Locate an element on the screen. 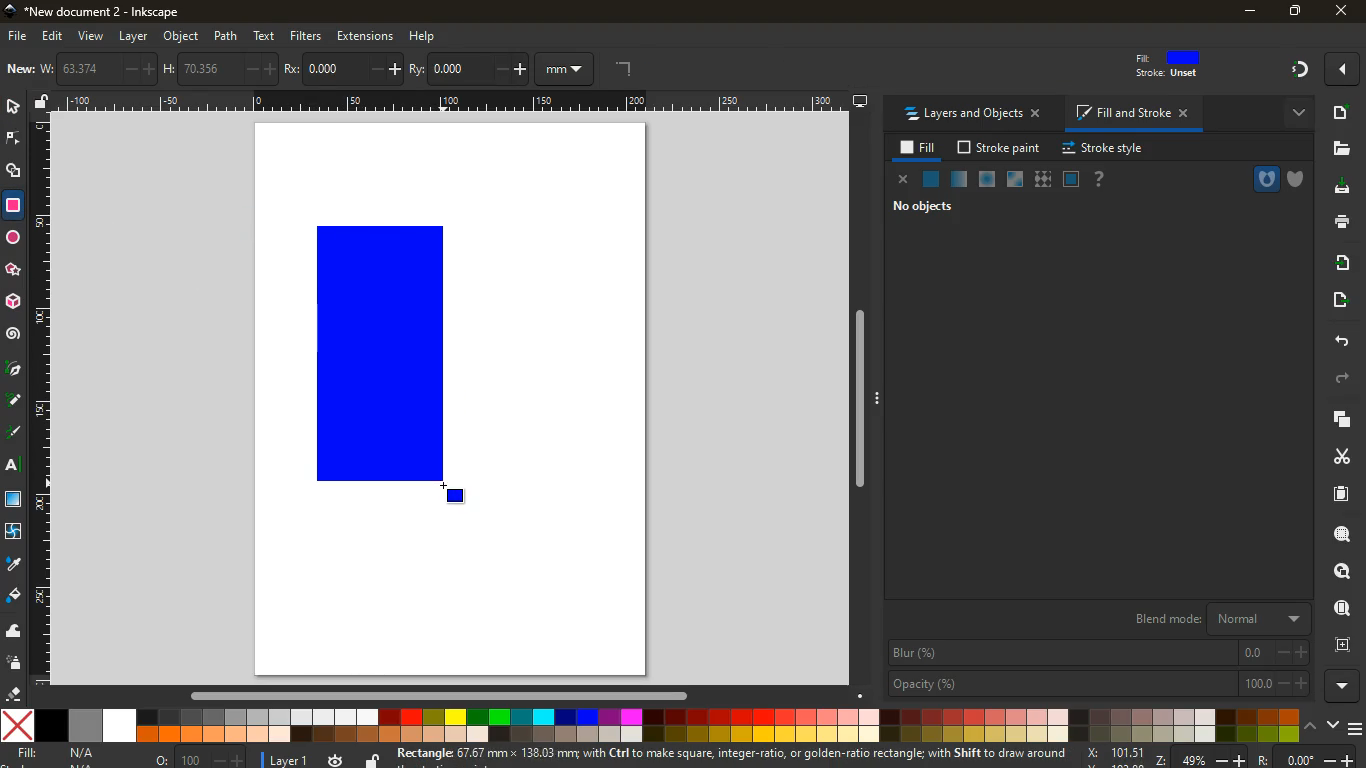 Image resolution: width=1366 pixels, height=768 pixels. window is located at coordinates (1014, 179).